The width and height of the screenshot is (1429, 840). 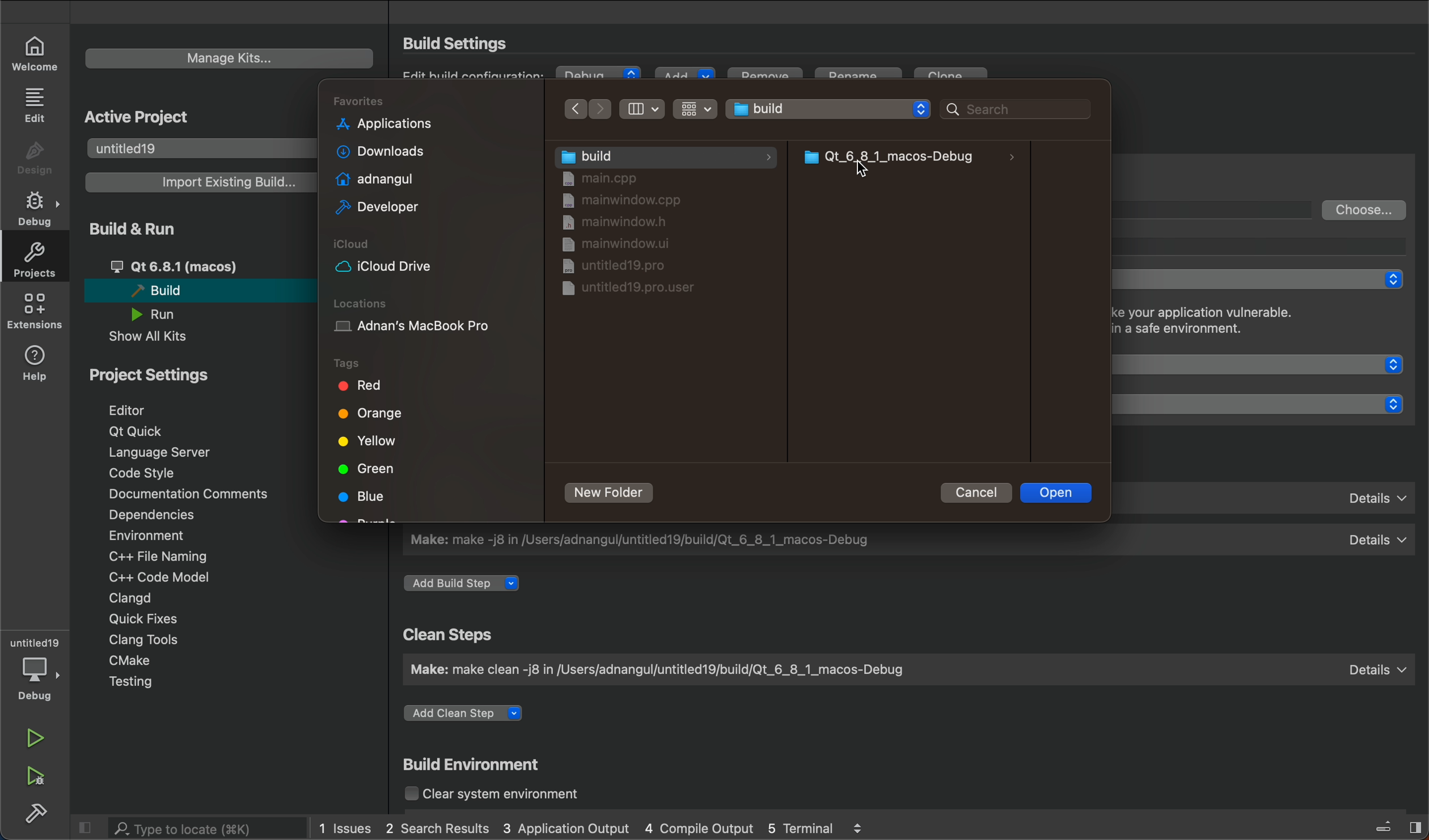 I want to click on search, so click(x=1008, y=108).